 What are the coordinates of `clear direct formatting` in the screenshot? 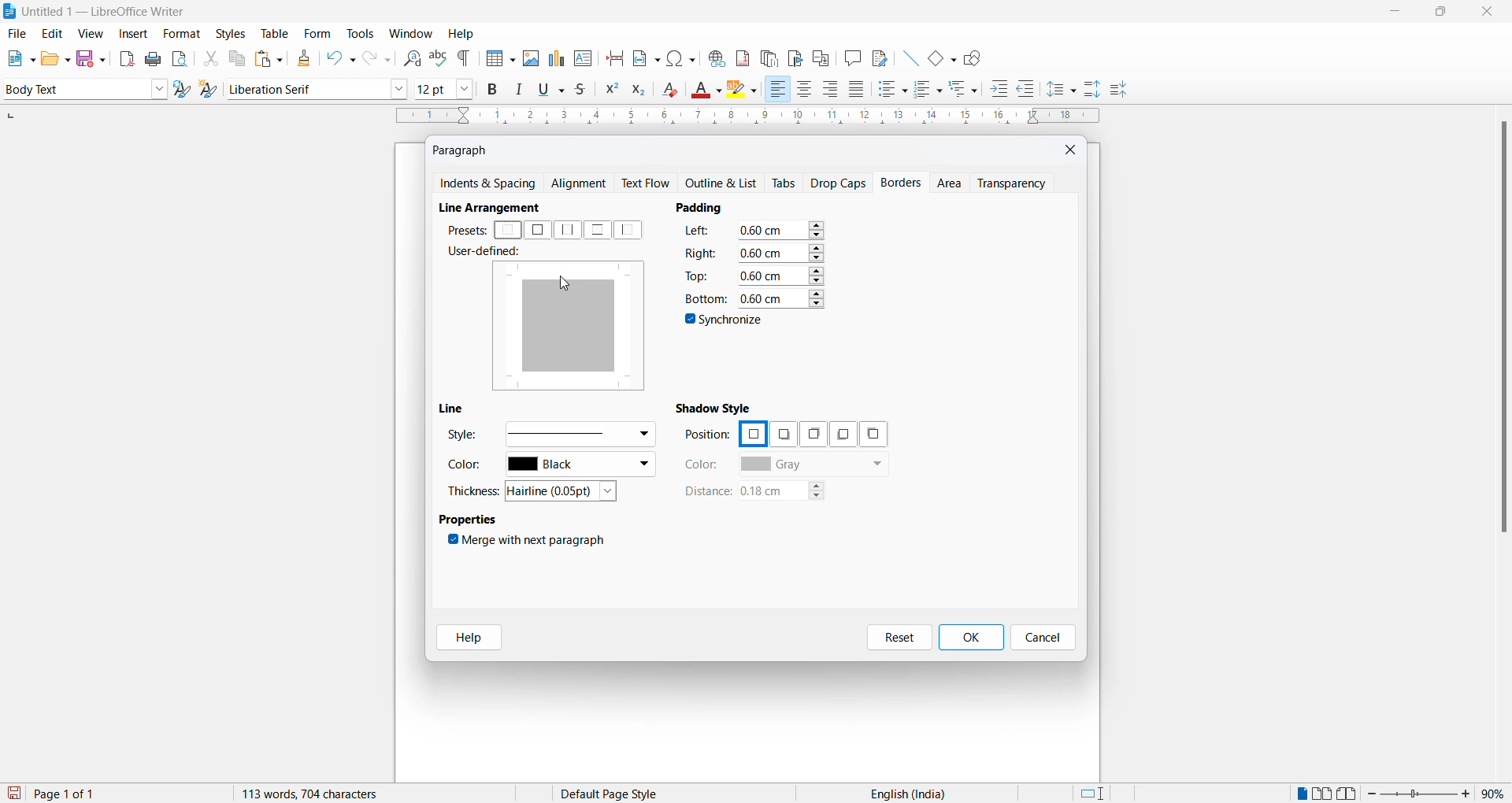 It's located at (674, 91).